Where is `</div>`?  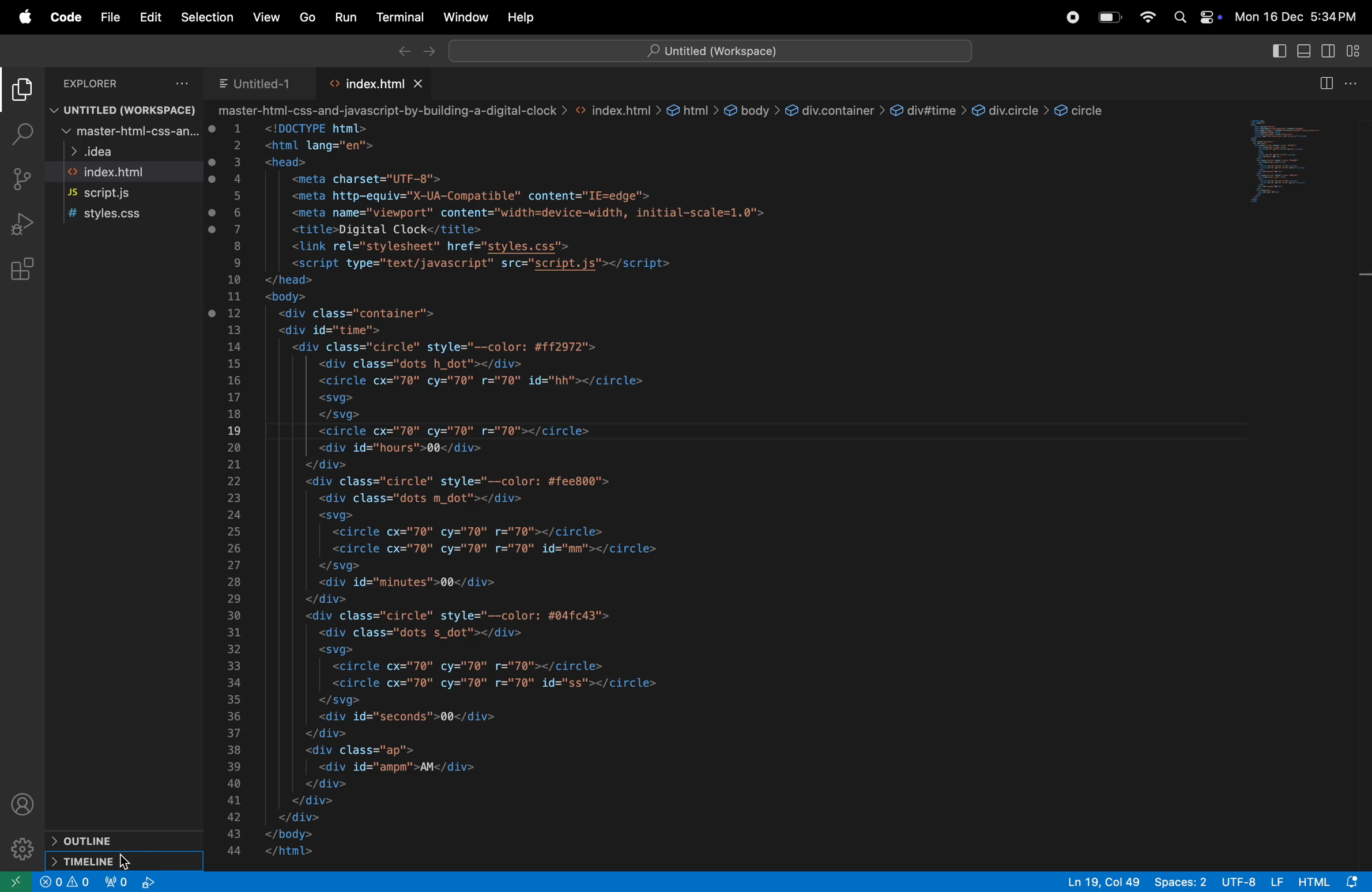
</div> is located at coordinates (327, 464).